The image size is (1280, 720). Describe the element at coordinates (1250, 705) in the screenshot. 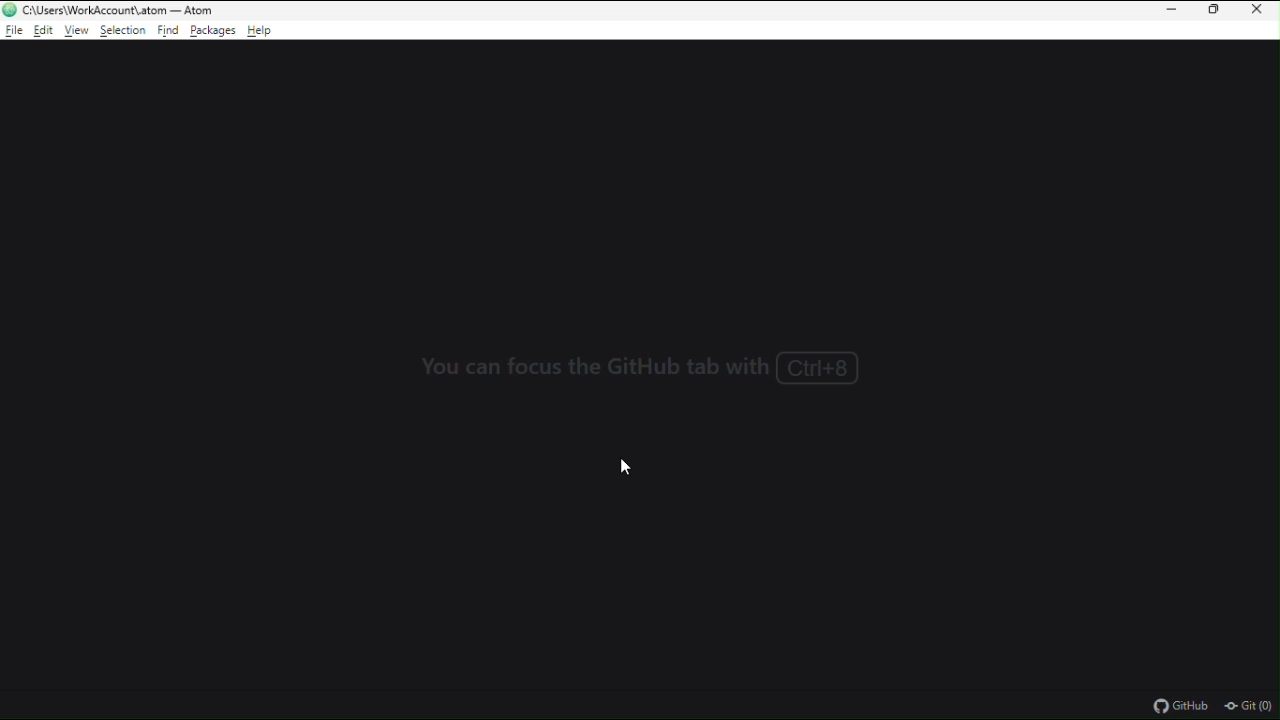

I see `git` at that location.